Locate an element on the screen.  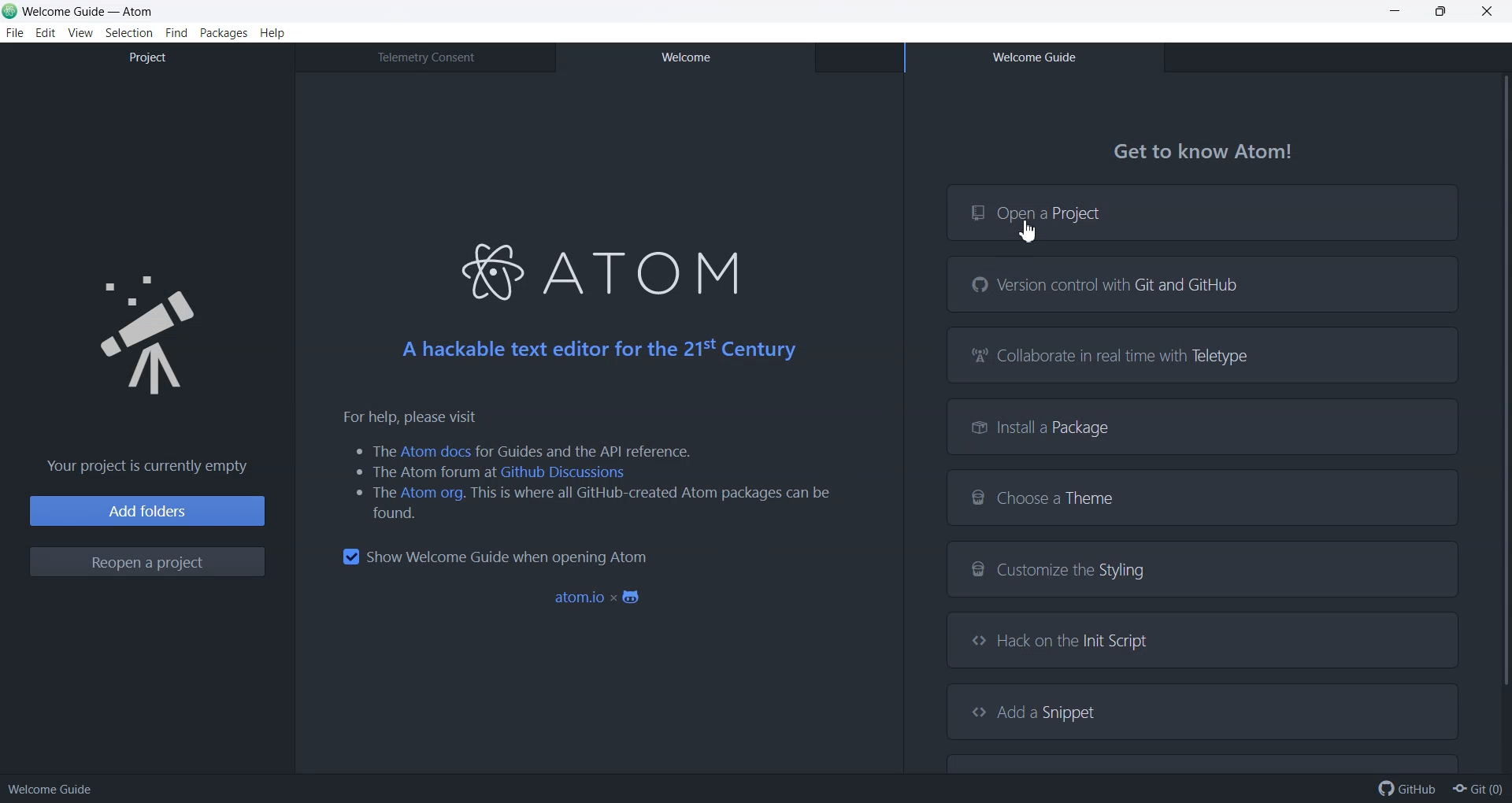
The Atom forum at Github Discussions is located at coordinates (492, 472).